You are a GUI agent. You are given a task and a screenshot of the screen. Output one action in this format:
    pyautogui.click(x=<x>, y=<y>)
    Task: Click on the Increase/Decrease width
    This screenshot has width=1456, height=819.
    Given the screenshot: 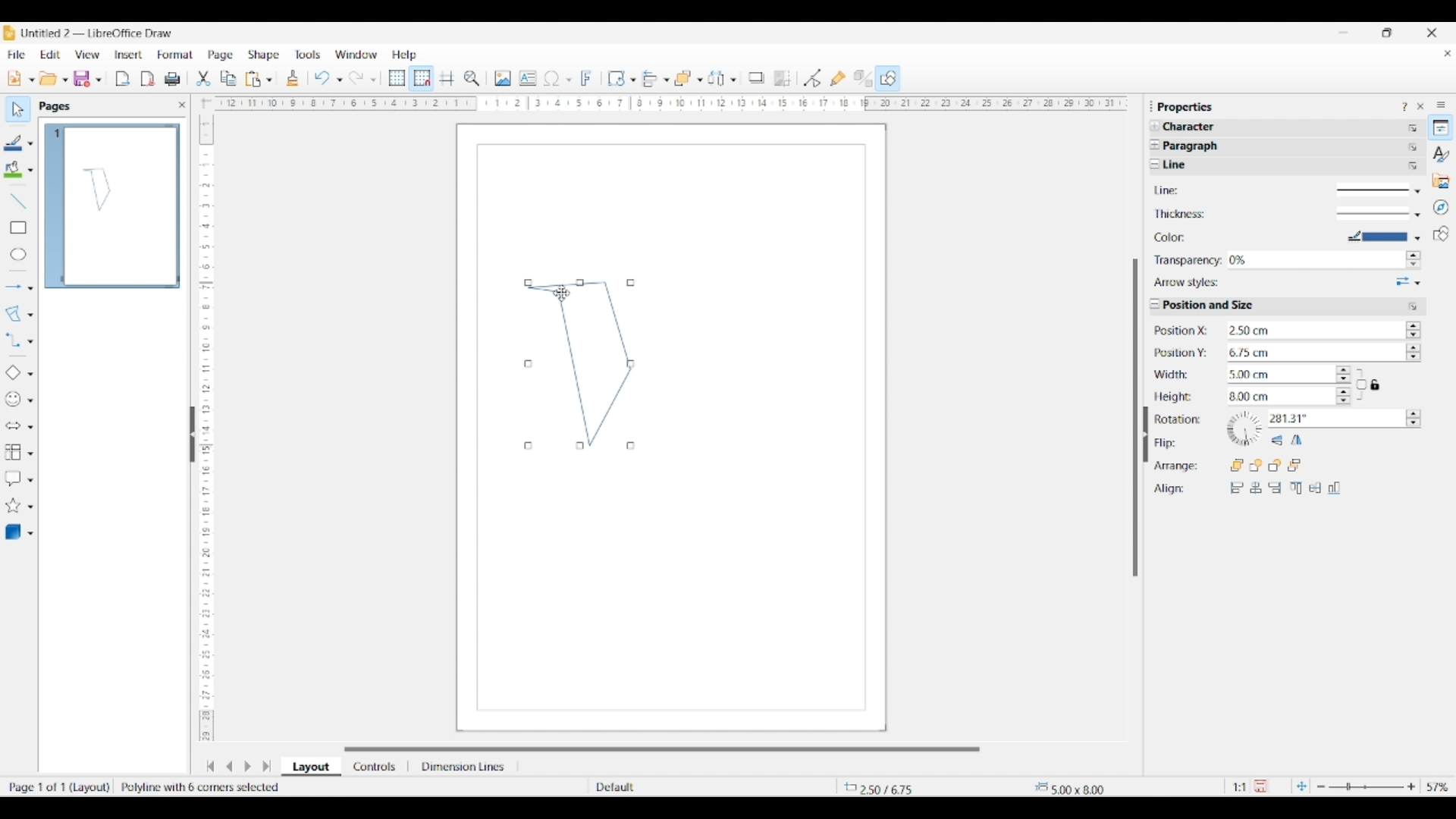 What is the action you would take?
    pyautogui.click(x=1344, y=374)
    